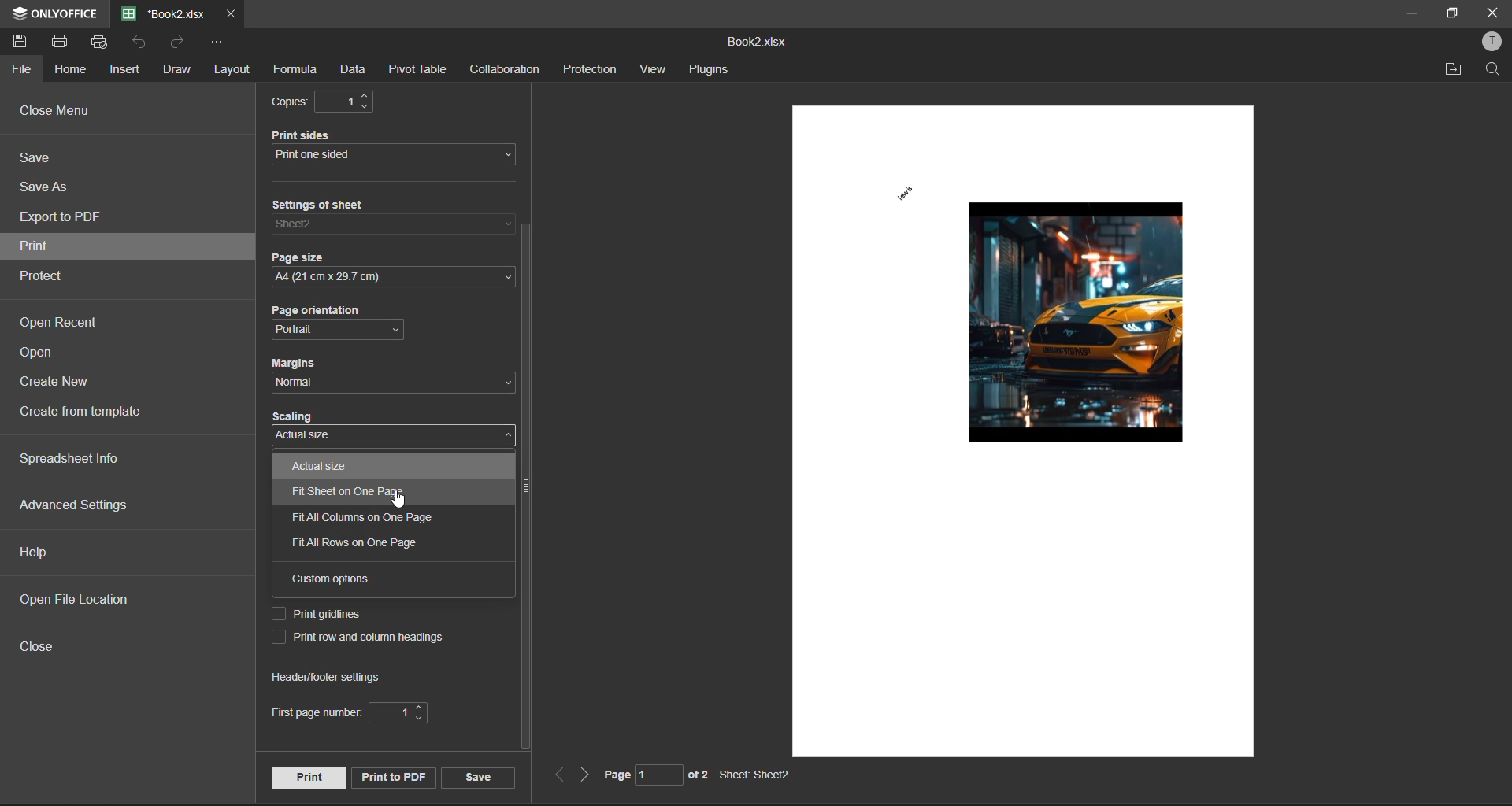 Image resolution: width=1512 pixels, height=806 pixels. I want to click on header/footer settings, so click(332, 678).